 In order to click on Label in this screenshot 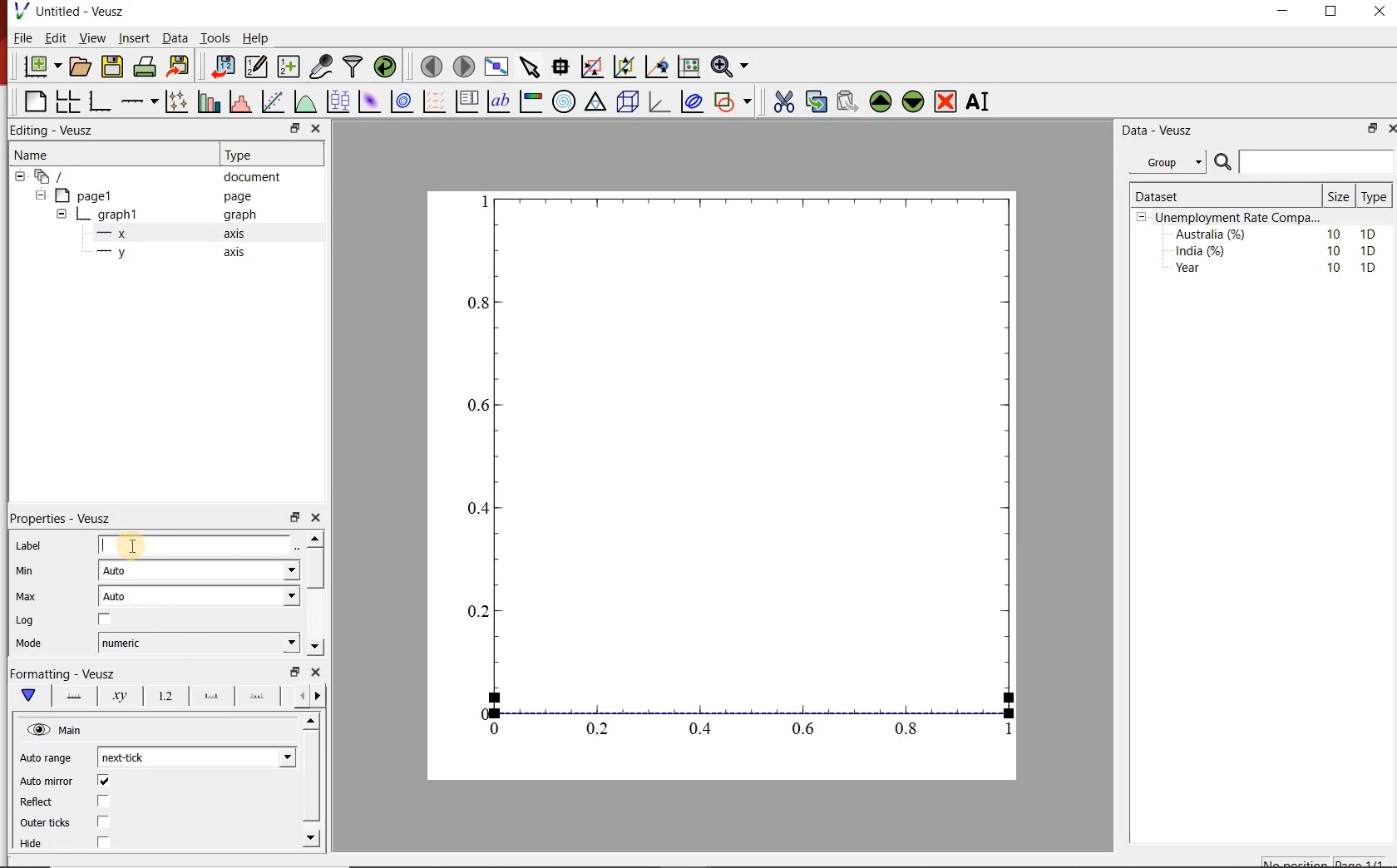, I will do `click(29, 547)`.